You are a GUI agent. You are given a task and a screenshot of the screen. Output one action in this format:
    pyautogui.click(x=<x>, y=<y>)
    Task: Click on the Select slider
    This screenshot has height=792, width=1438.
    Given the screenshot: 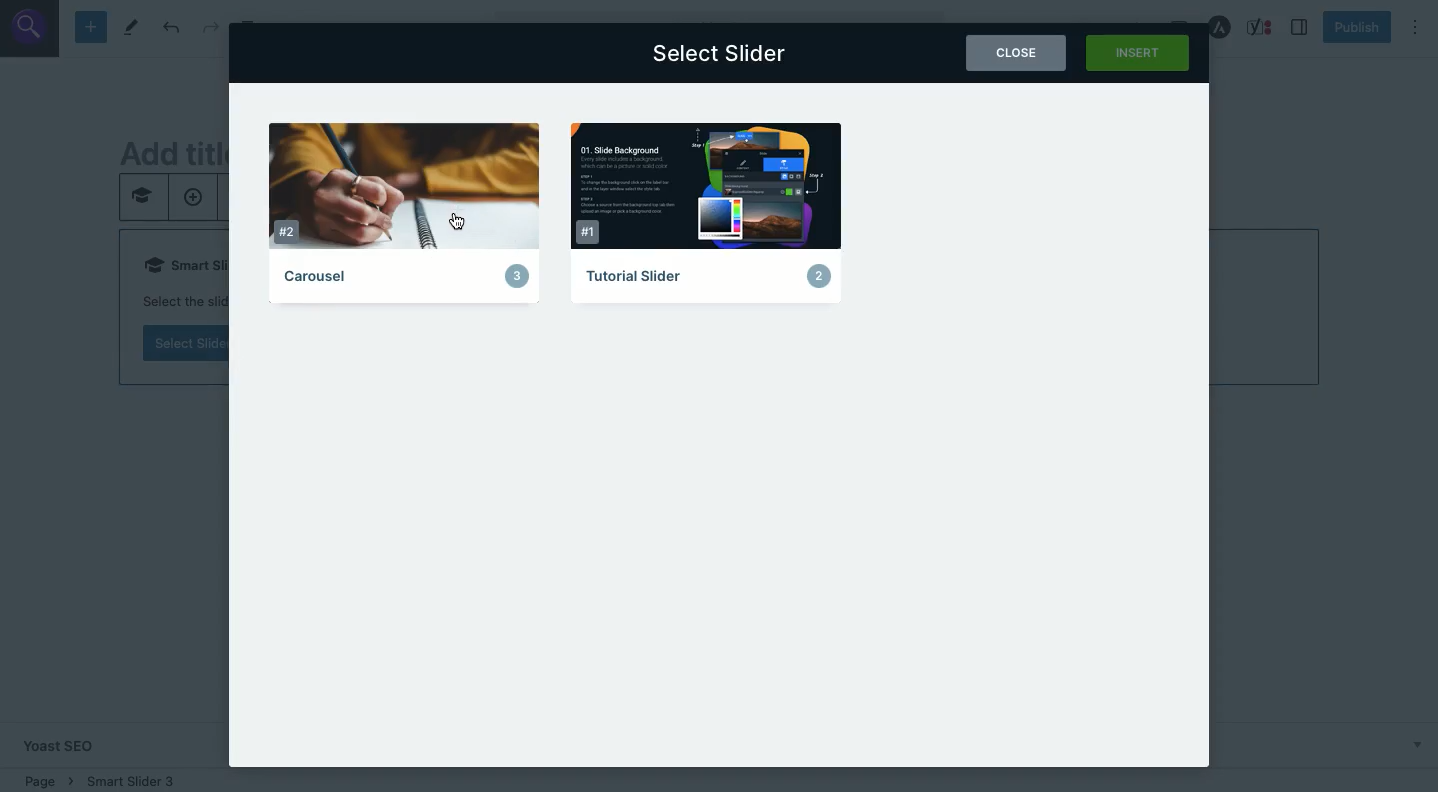 What is the action you would take?
    pyautogui.click(x=722, y=54)
    